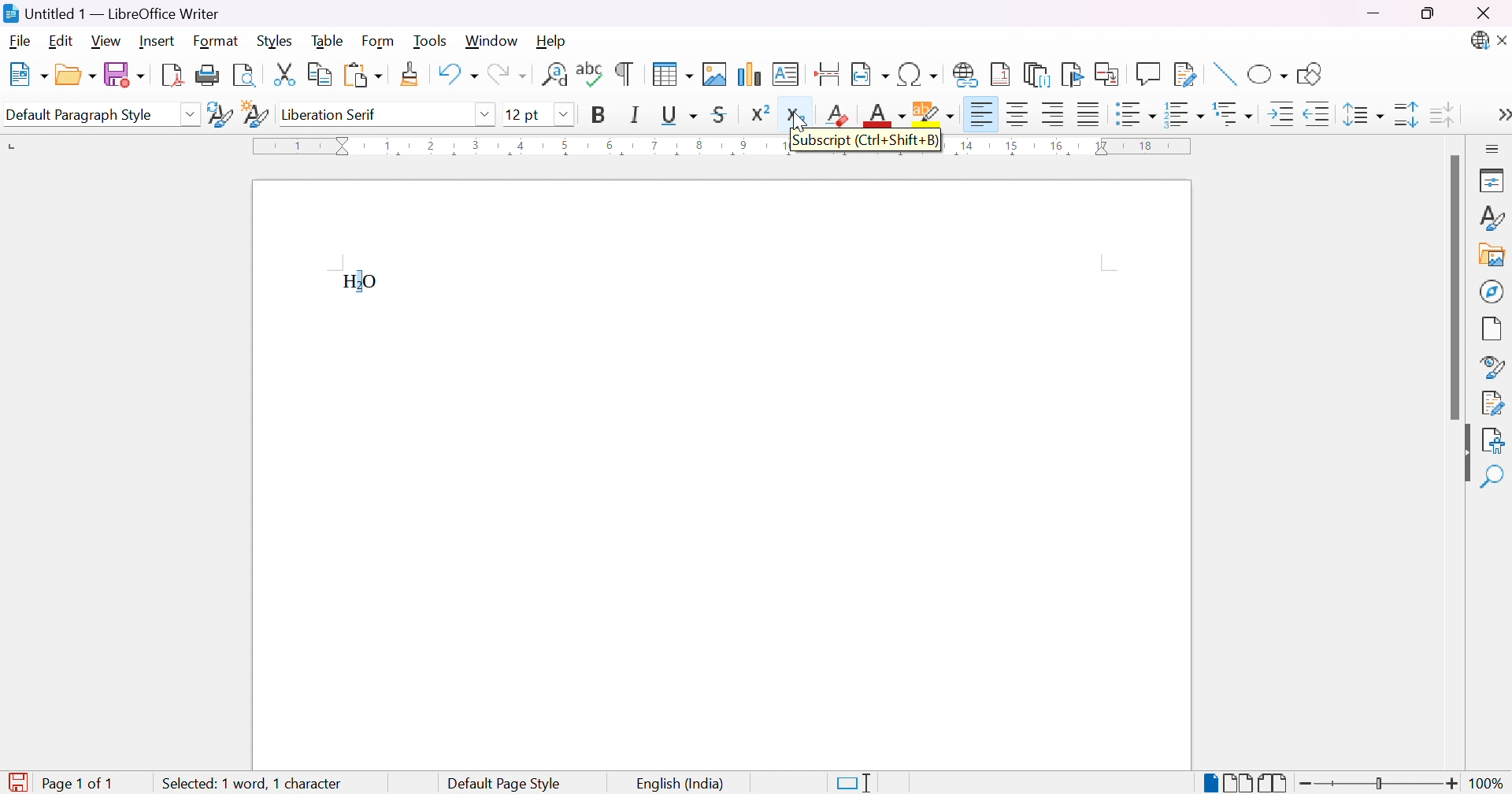 This screenshot has height=794, width=1512. I want to click on Align center, so click(1020, 114).